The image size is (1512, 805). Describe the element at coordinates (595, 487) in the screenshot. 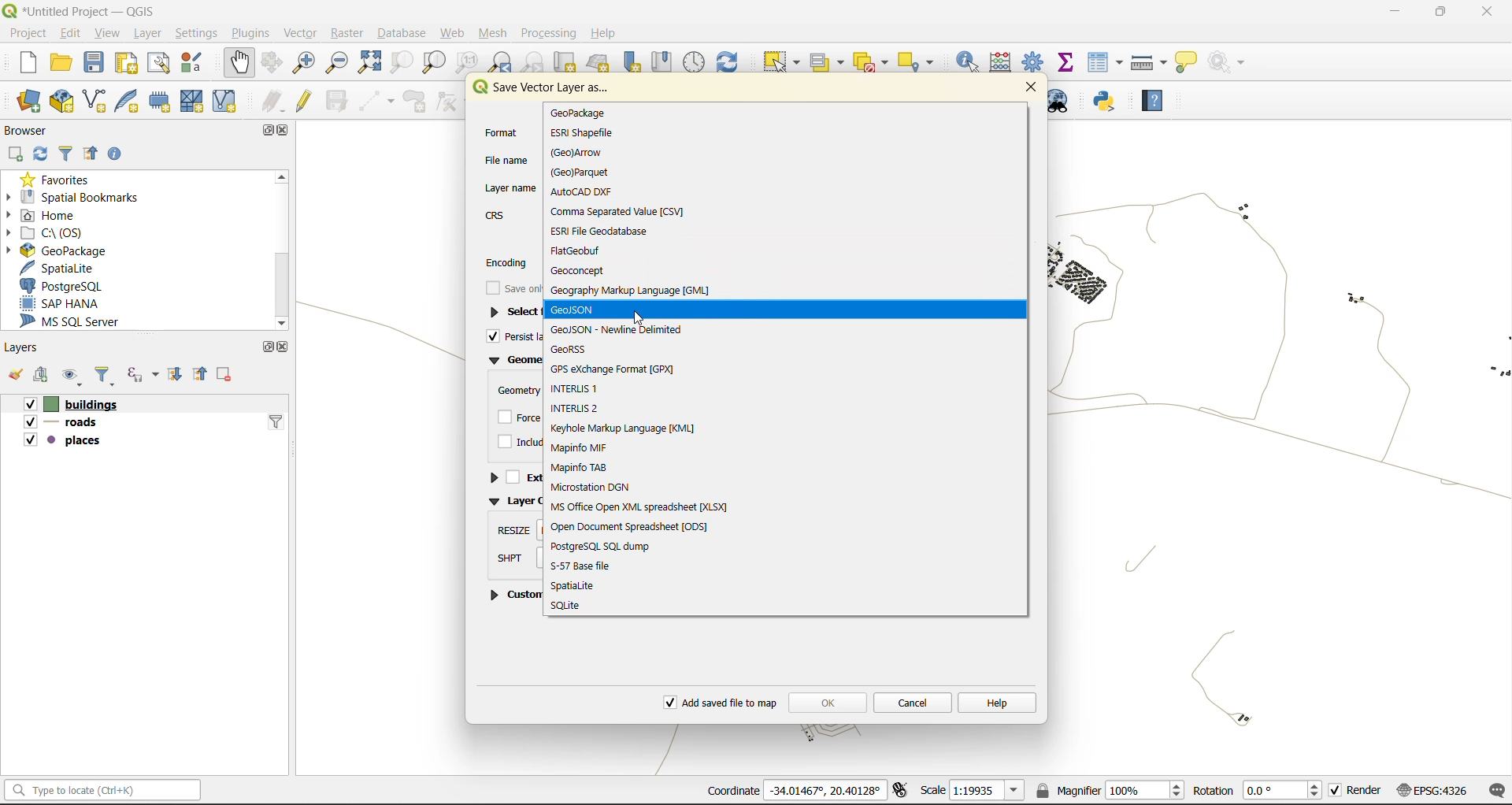

I see `microstation dgn` at that location.